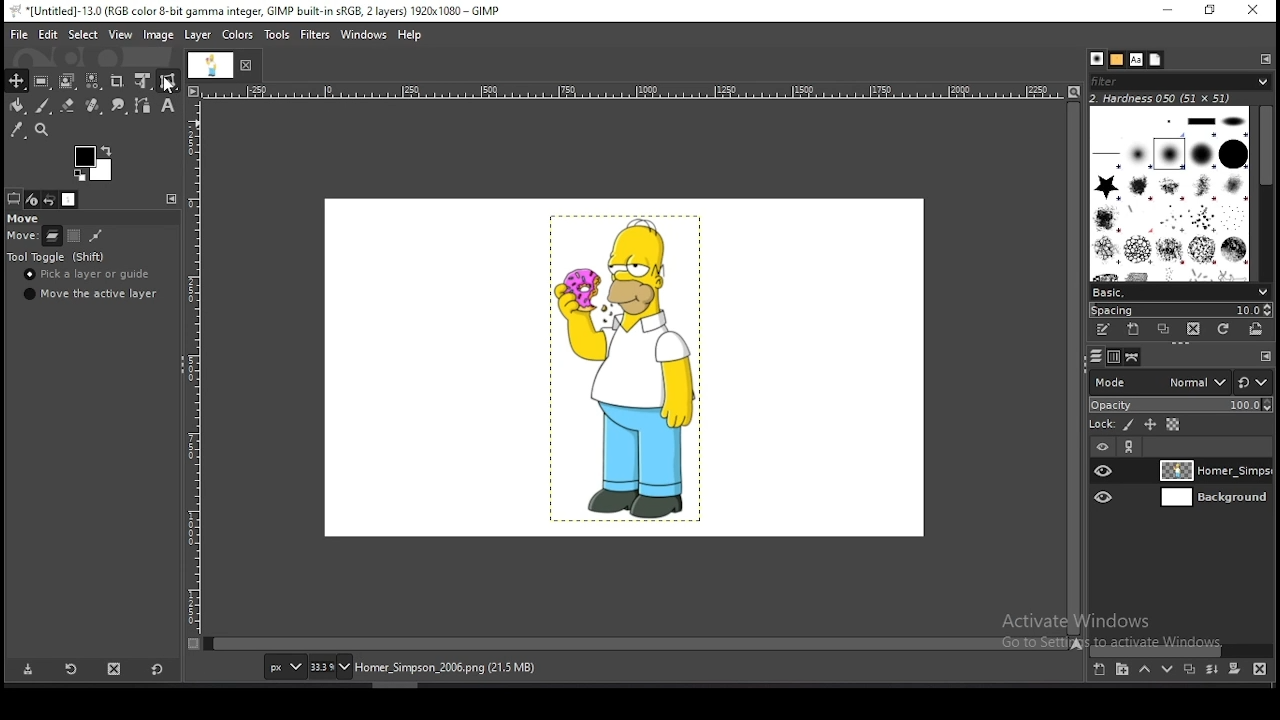 This screenshot has width=1280, height=720. I want to click on paint bucket tool, so click(17, 105).